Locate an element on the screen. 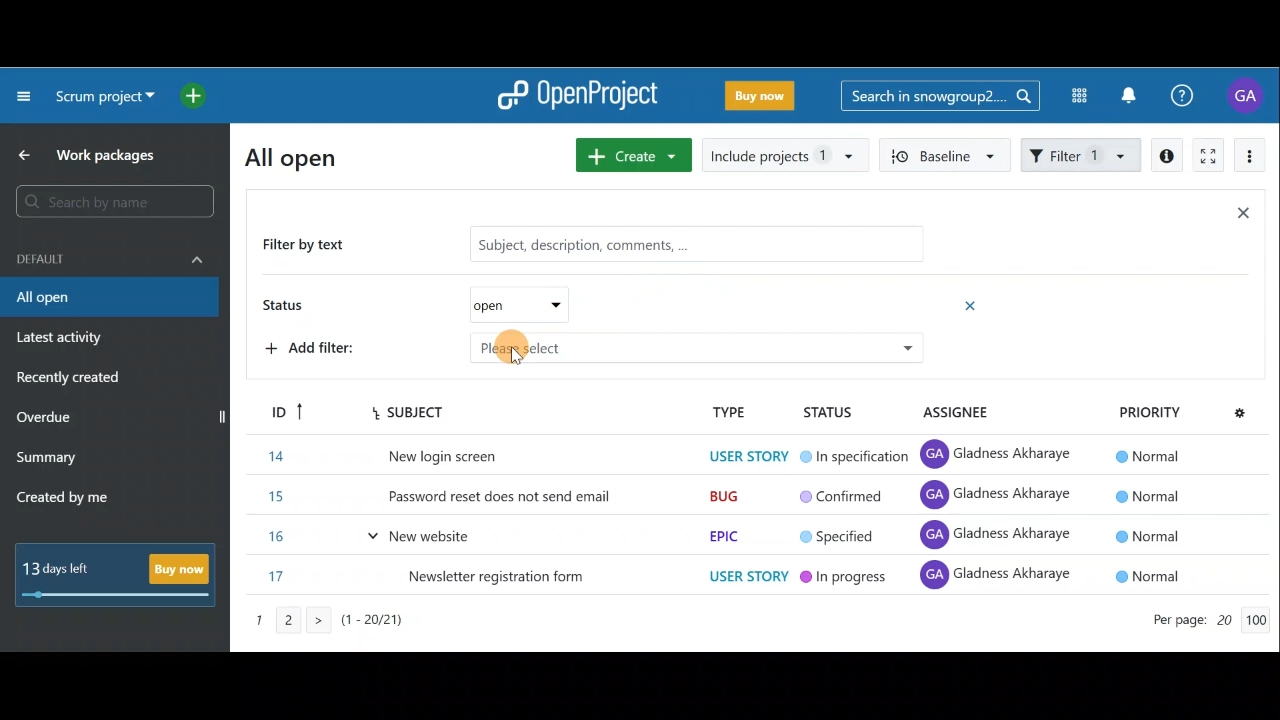 Image resolution: width=1280 pixels, height=720 pixels. Filter is located at coordinates (1082, 153).